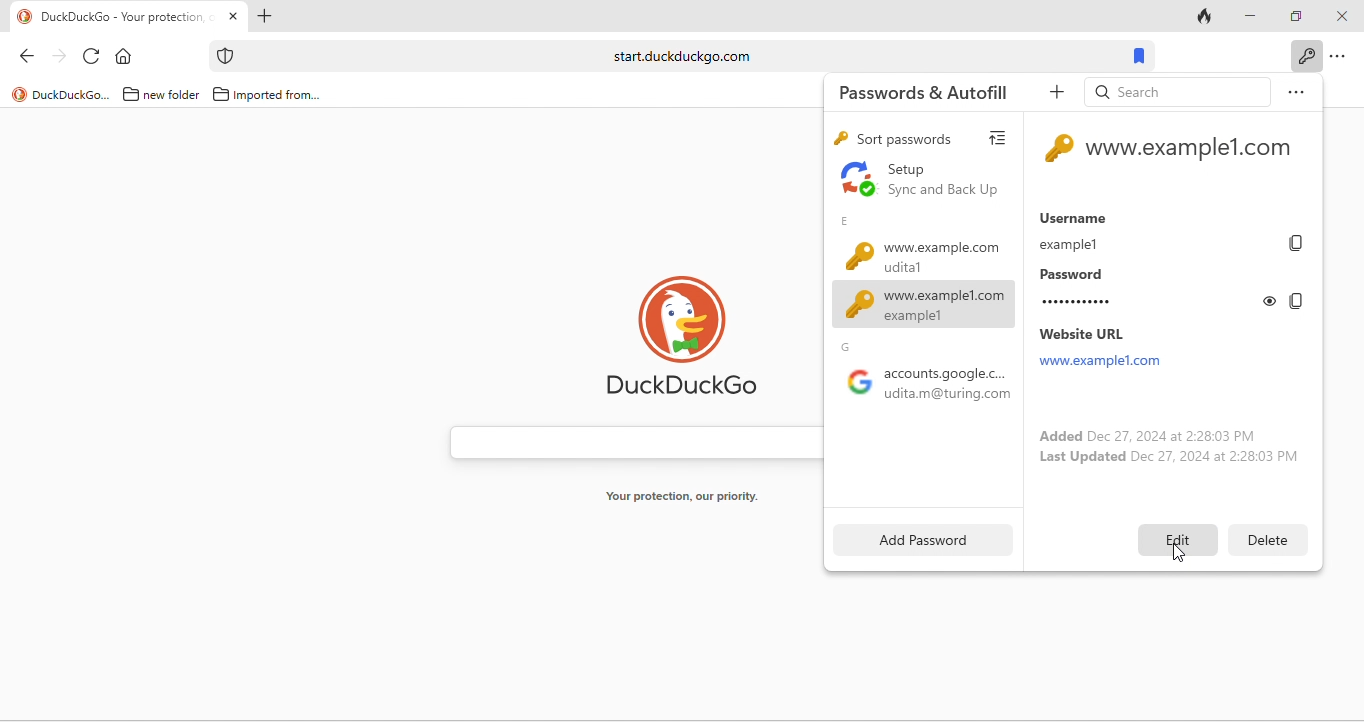  I want to click on track tab, so click(1206, 15).